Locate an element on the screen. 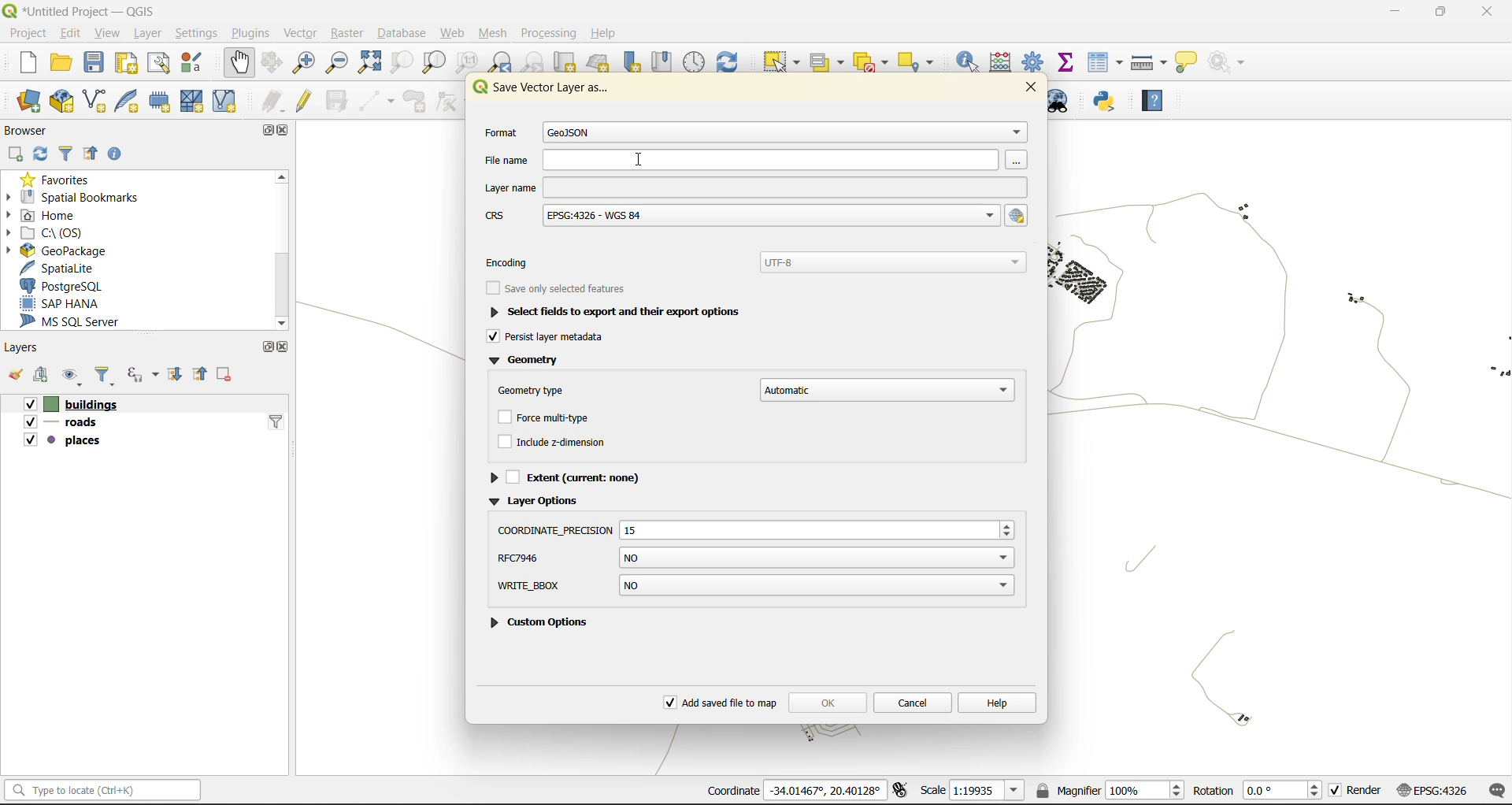 Image resolution: width=1512 pixels, height=805 pixels. select location is located at coordinates (921, 62).